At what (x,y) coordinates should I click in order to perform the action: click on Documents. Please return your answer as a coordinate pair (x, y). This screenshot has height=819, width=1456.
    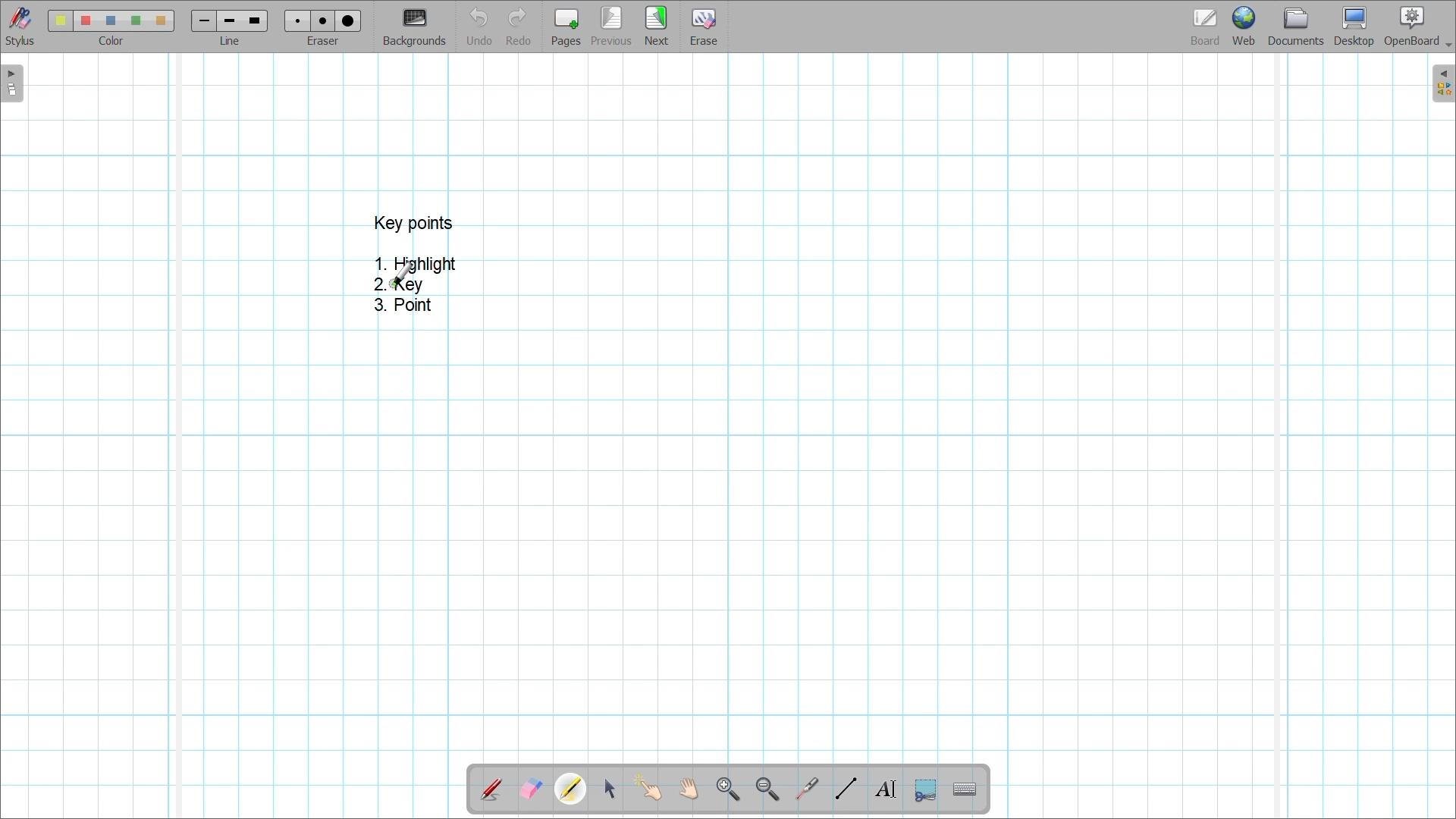
    Looking at the image, I should click on (1296, 27).